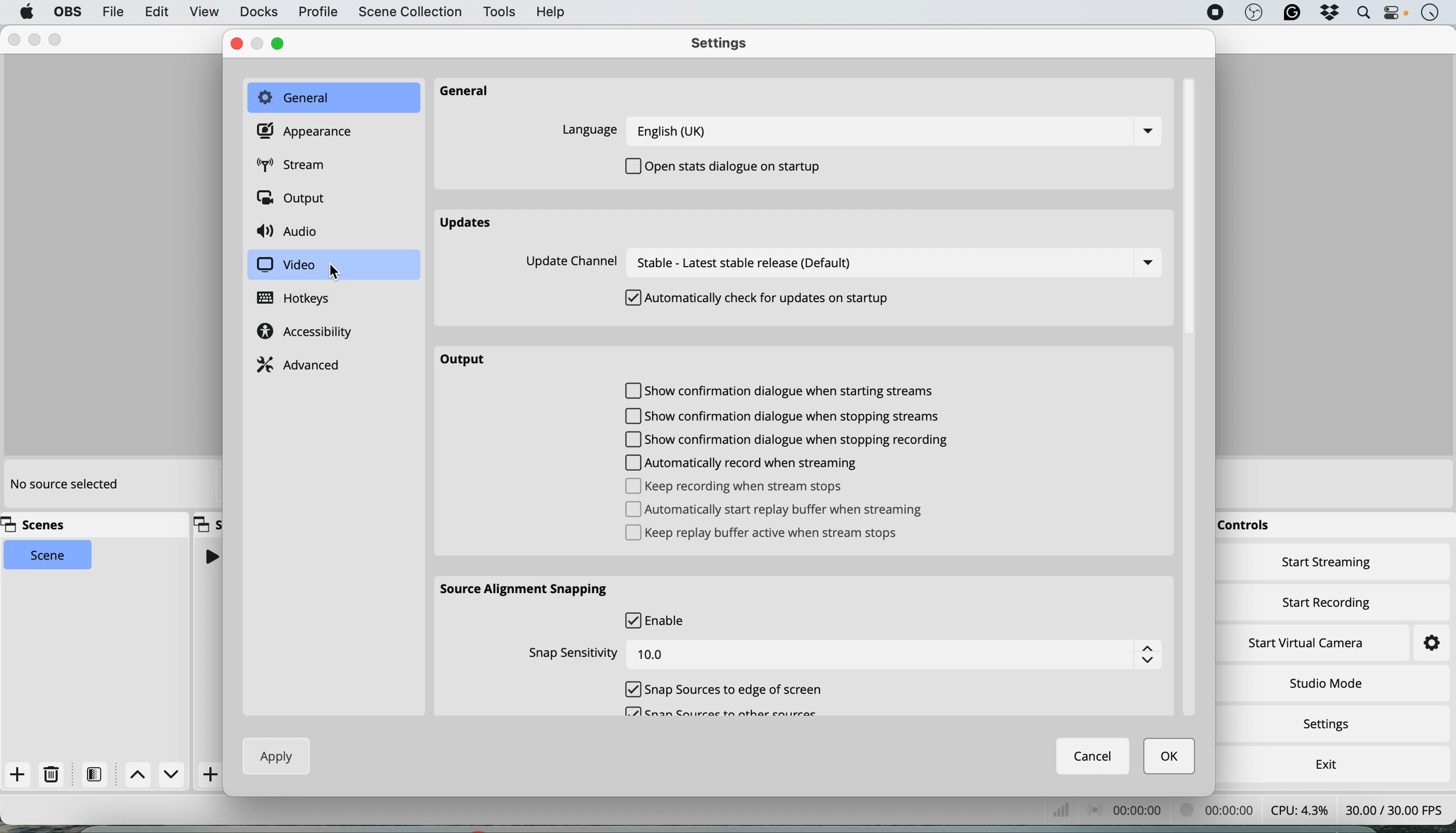  What do you see at coordinates (1421, 644) in the screenshot?
I see `settings` at bounding box center [1421, 644].